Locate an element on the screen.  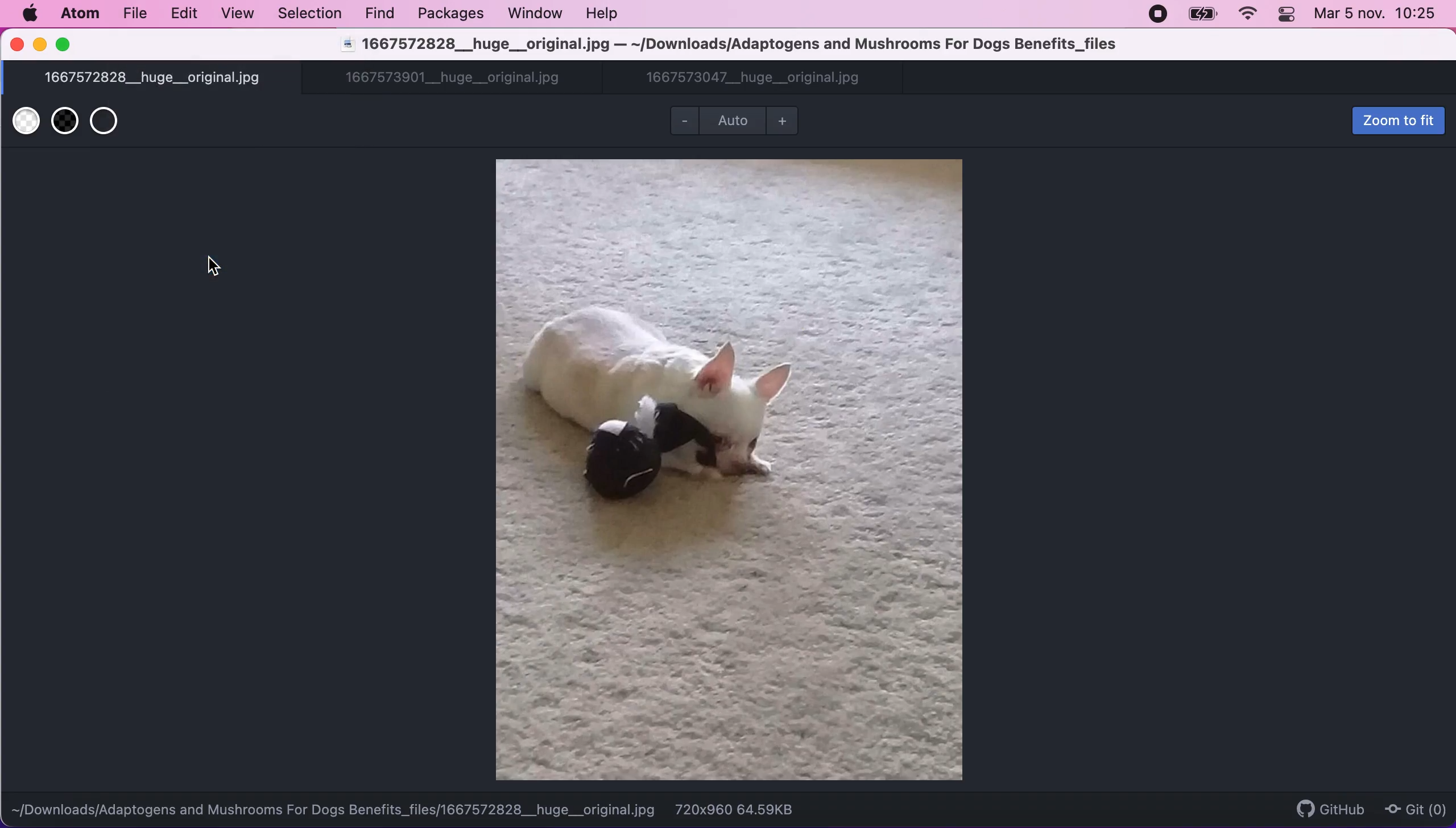
1667573901__huge__original.jpg is located at coordinates (458, 80).